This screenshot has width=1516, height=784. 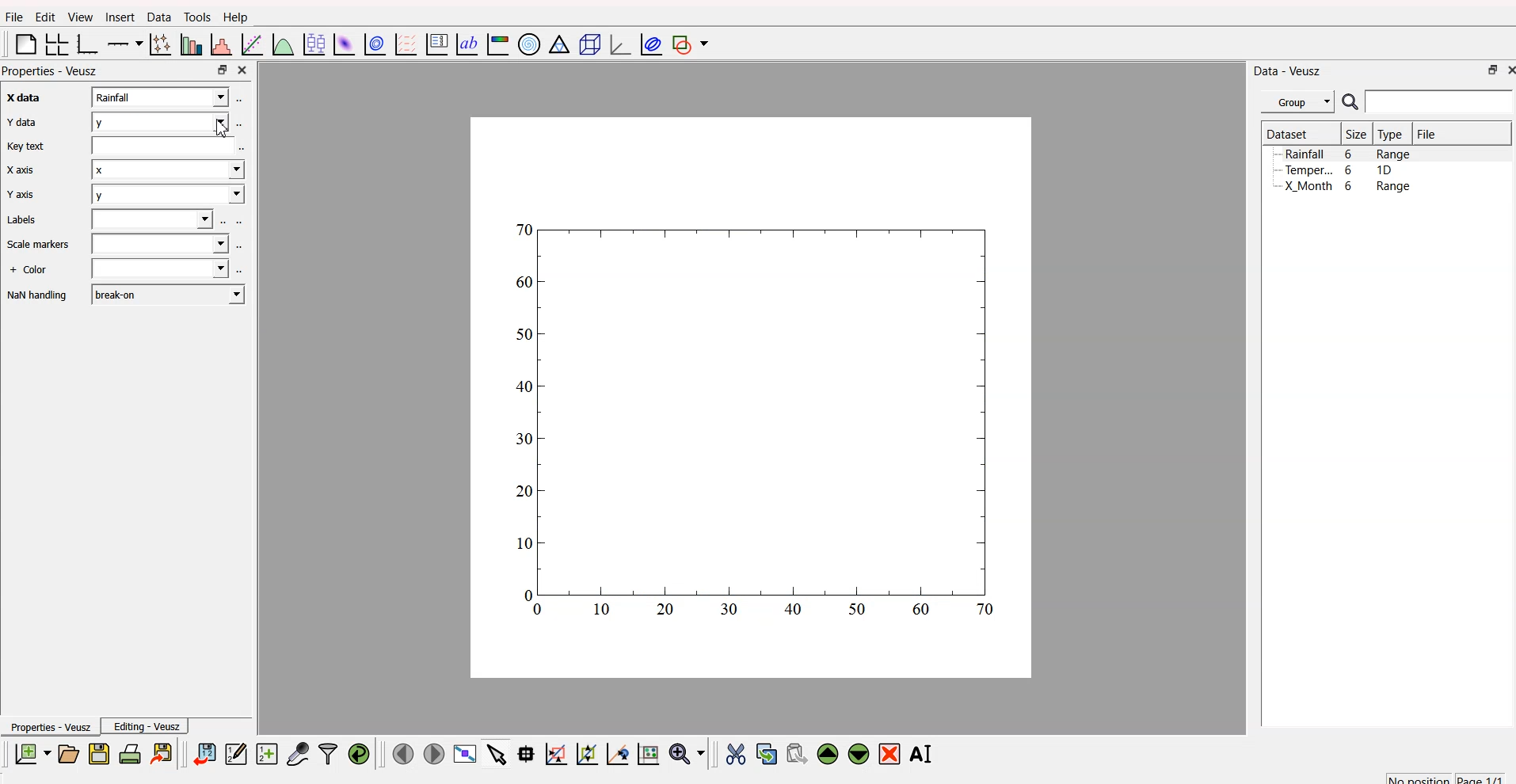 What do you see at coordinates (67, 752) in the screenshot?
I see `open a document` at bounding box center [67, 752].